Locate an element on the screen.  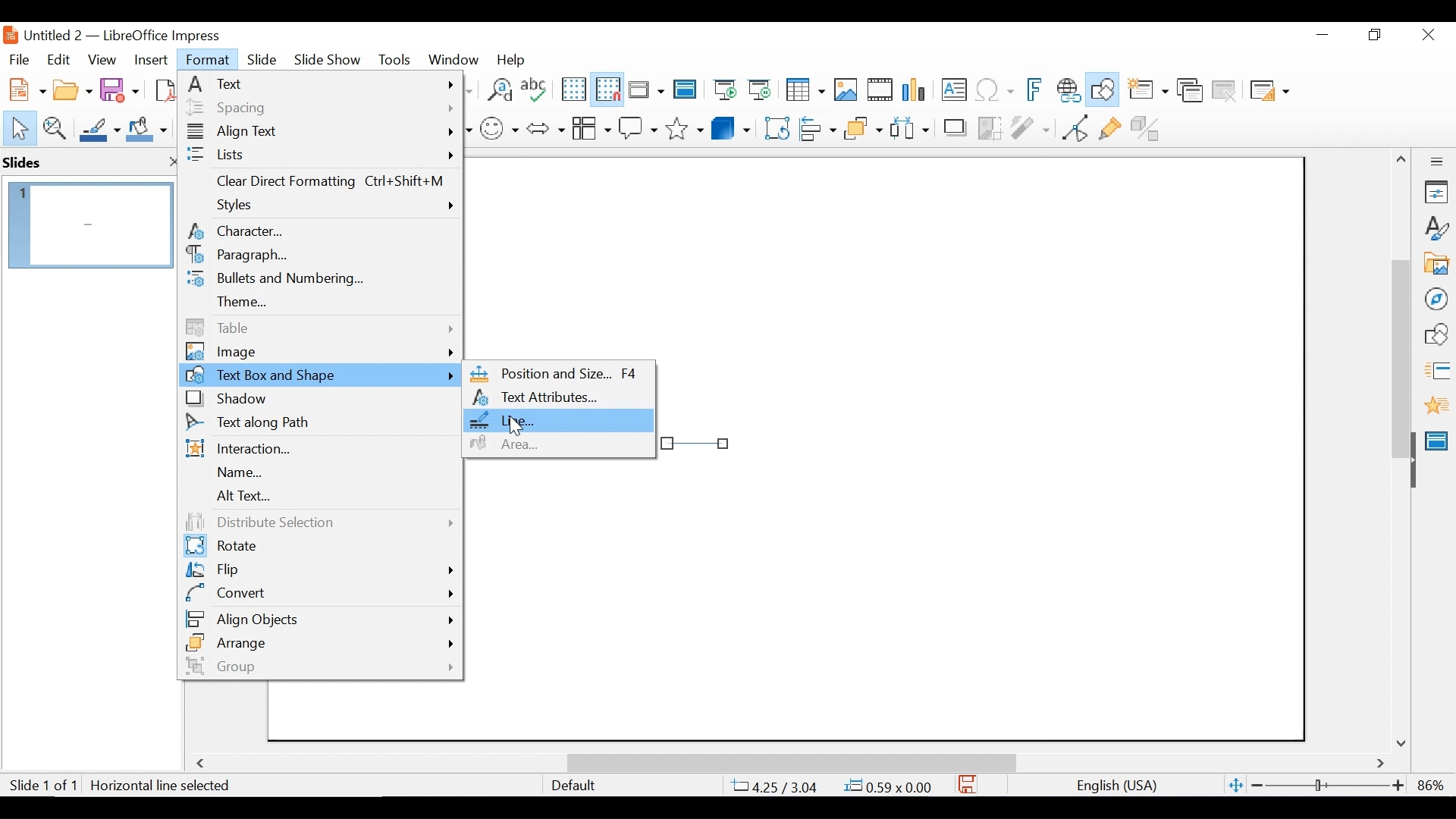
Select is located at coordinates (17, 127).